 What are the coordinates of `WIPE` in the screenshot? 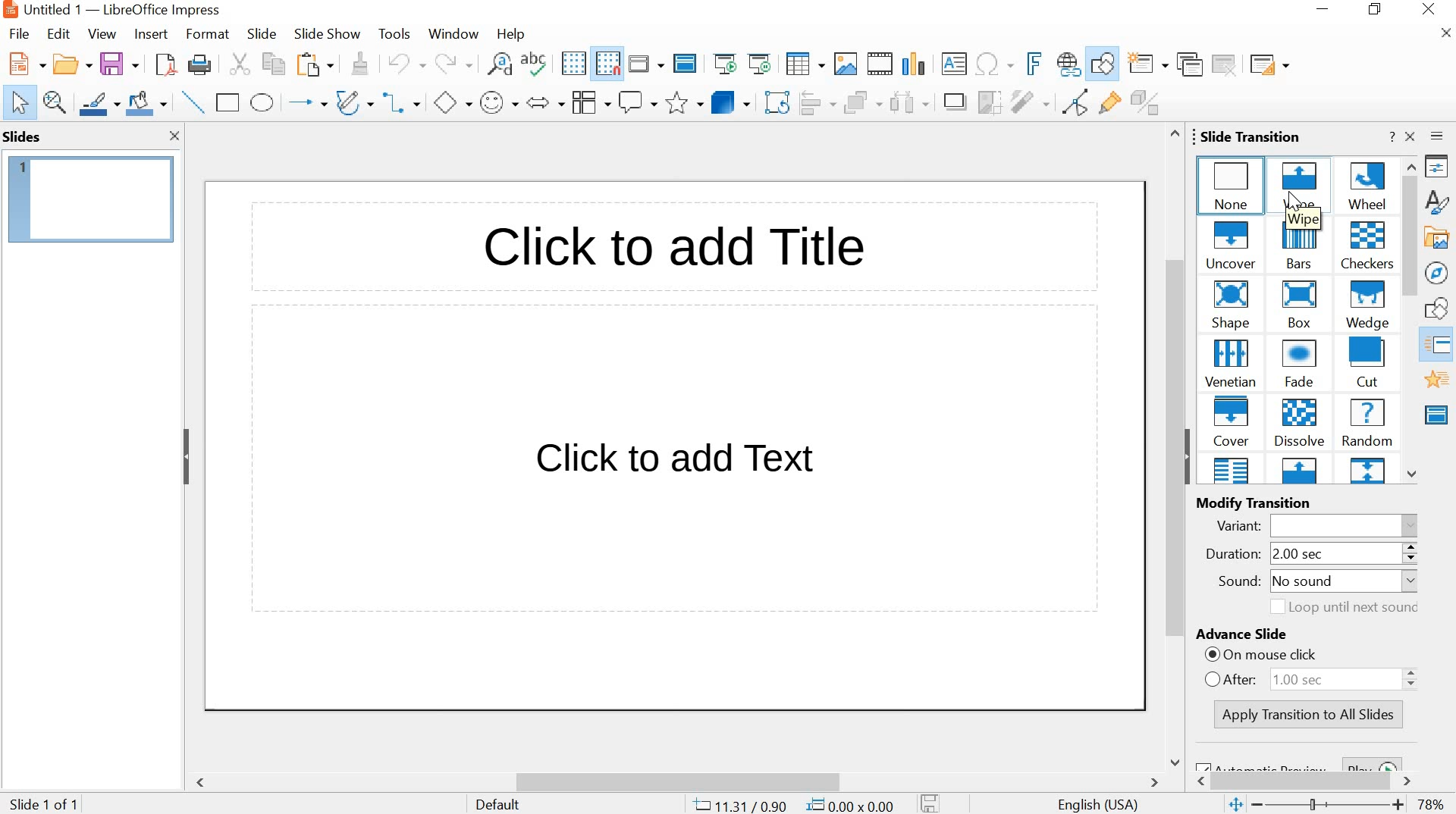 It's located at (1301, 183).